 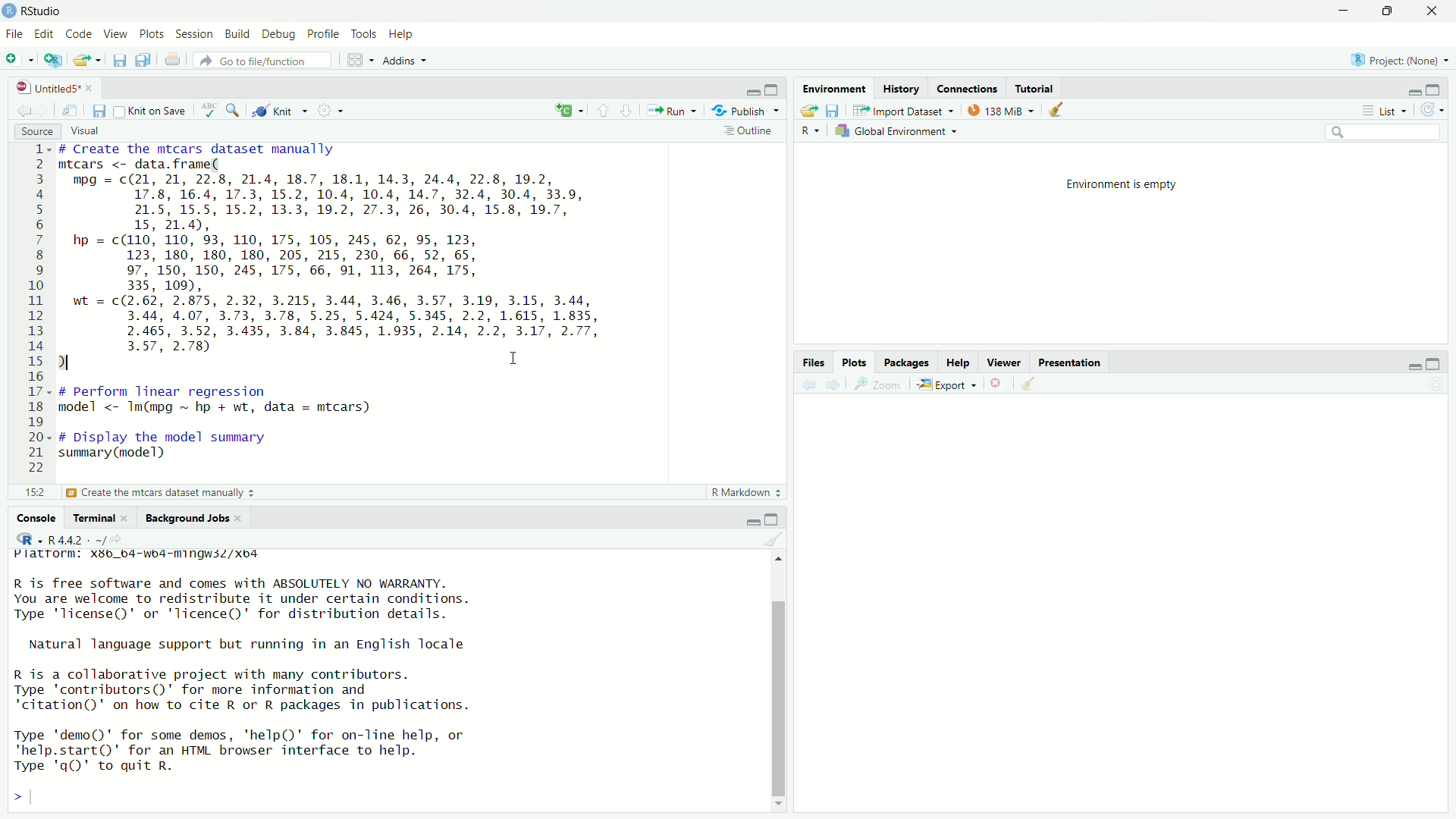 I want to click on Run, so click(x=670, y=109).